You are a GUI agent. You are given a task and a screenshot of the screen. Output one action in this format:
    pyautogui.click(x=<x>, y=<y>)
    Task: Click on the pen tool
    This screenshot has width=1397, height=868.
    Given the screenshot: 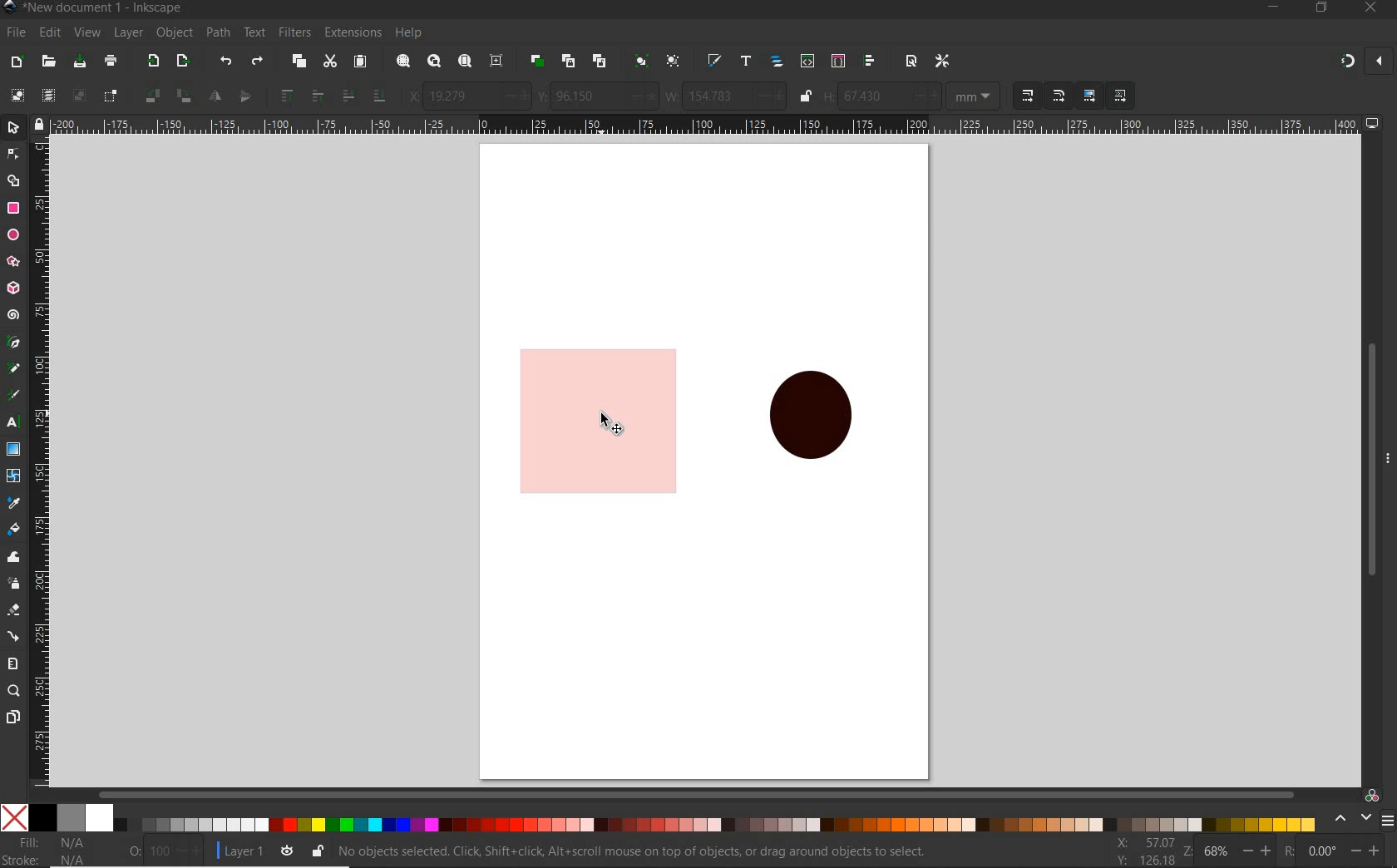 What is the action you would take?
    pyautogui.click(x=12, y=341)
    